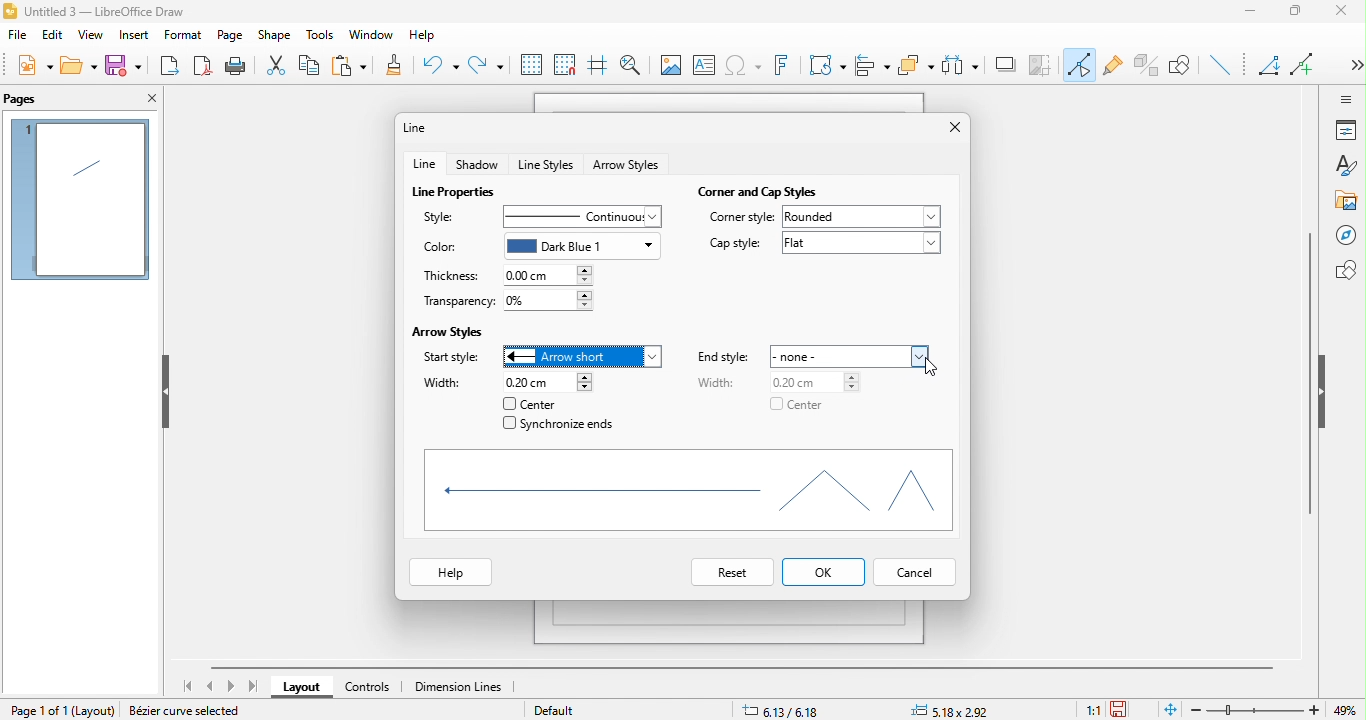 The image size is (1366, 720). I want to click on navigator, so click(1345, 235).